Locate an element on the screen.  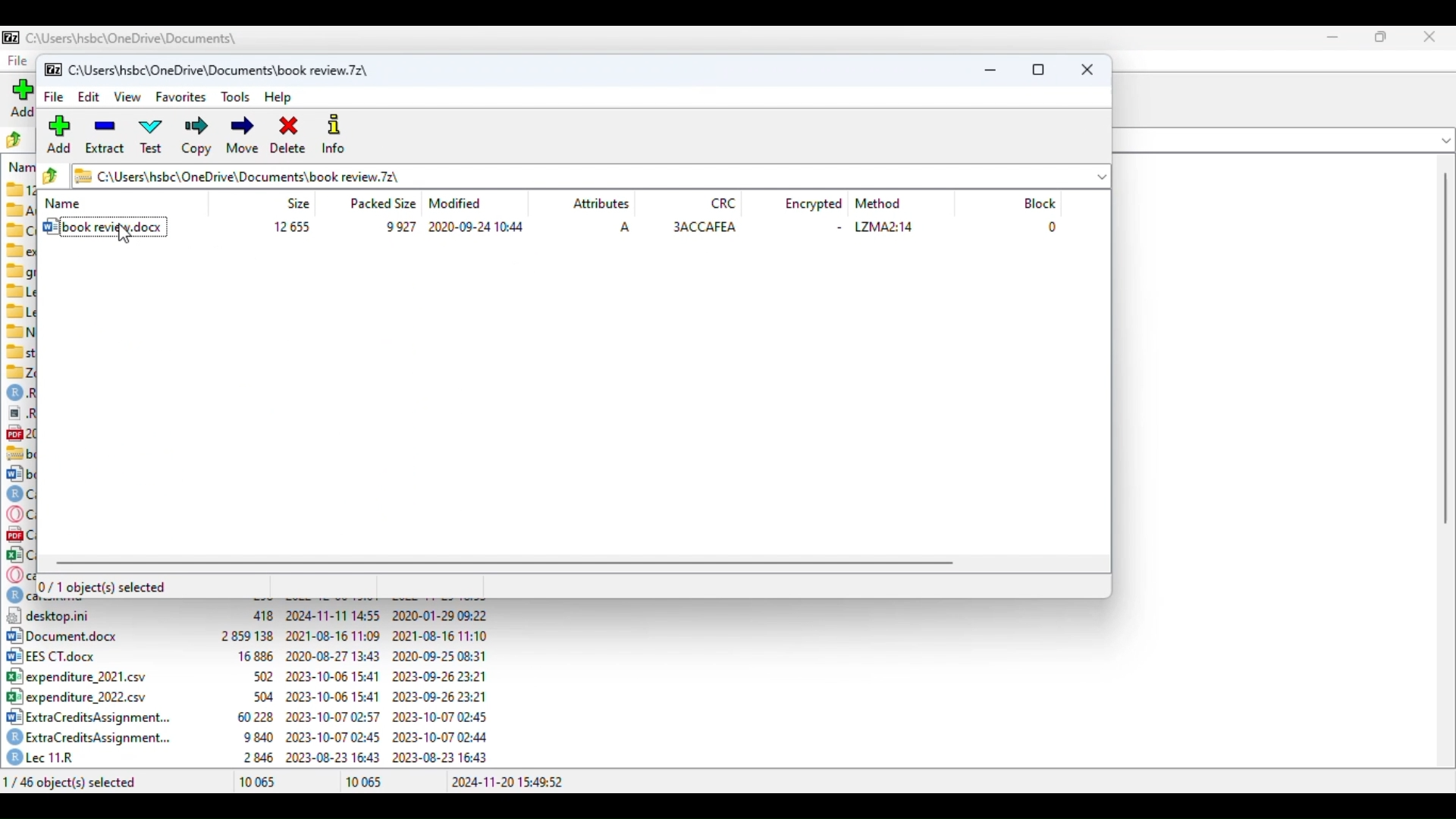
move is located at coordinates (244, 136).